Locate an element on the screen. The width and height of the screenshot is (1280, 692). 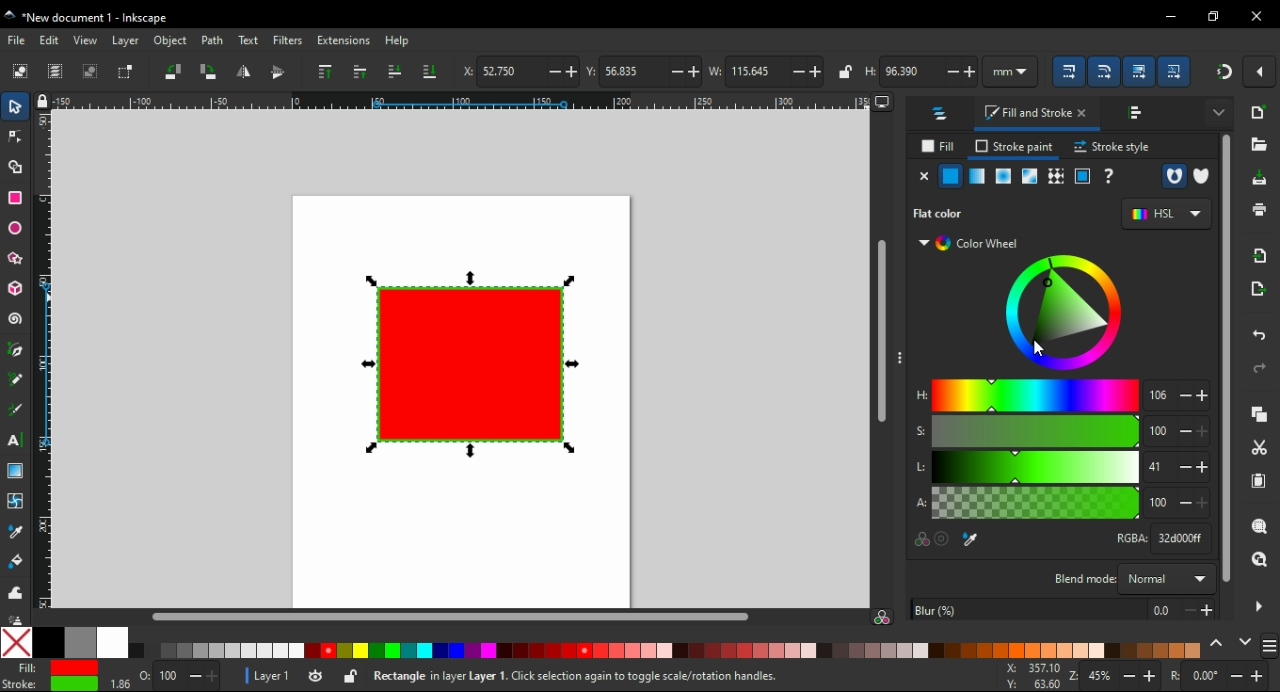
increase/decrease is located at coordinates (1194, 396).